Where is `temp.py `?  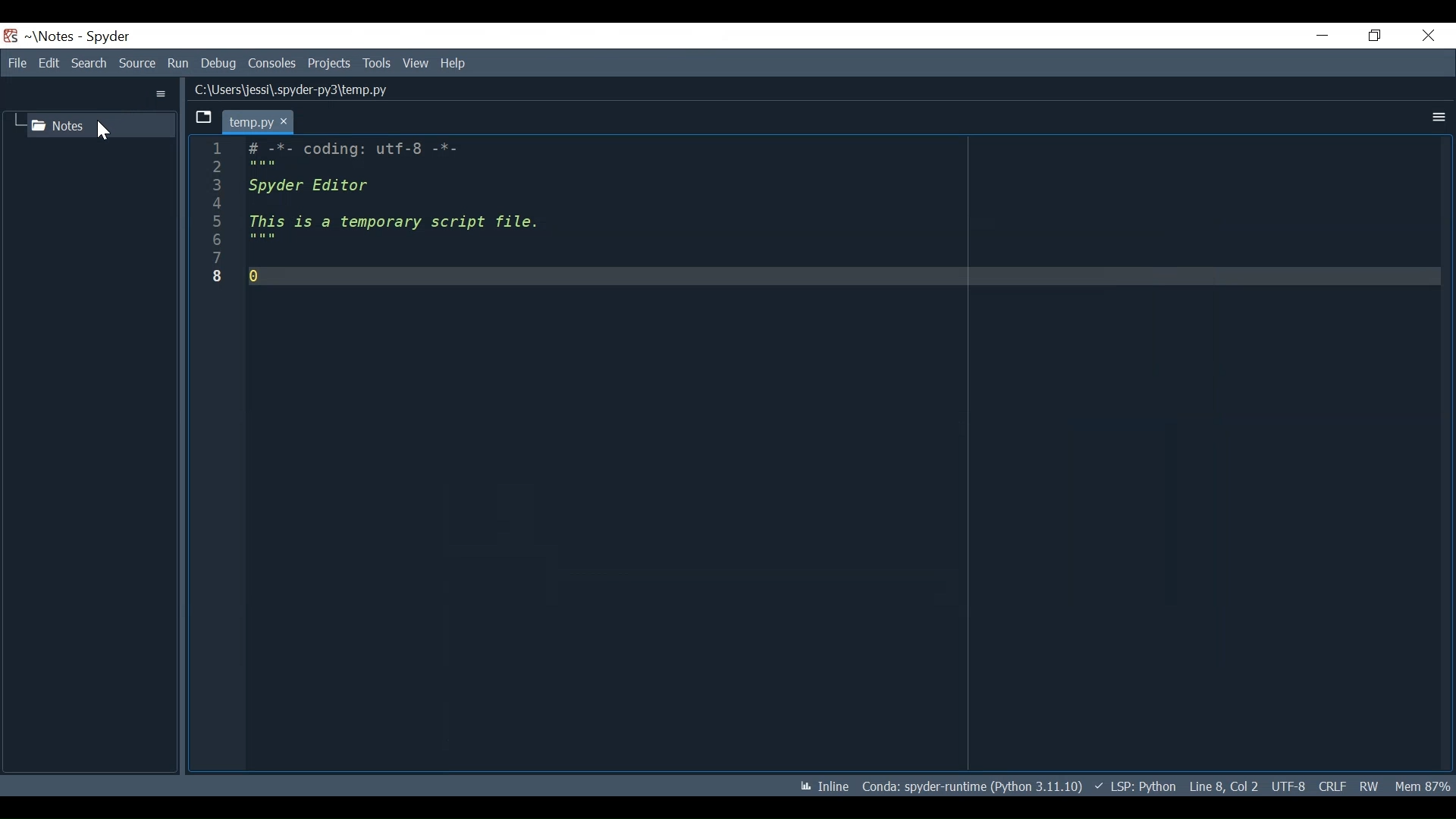 temp.py  is located at coordinates (258, 122).